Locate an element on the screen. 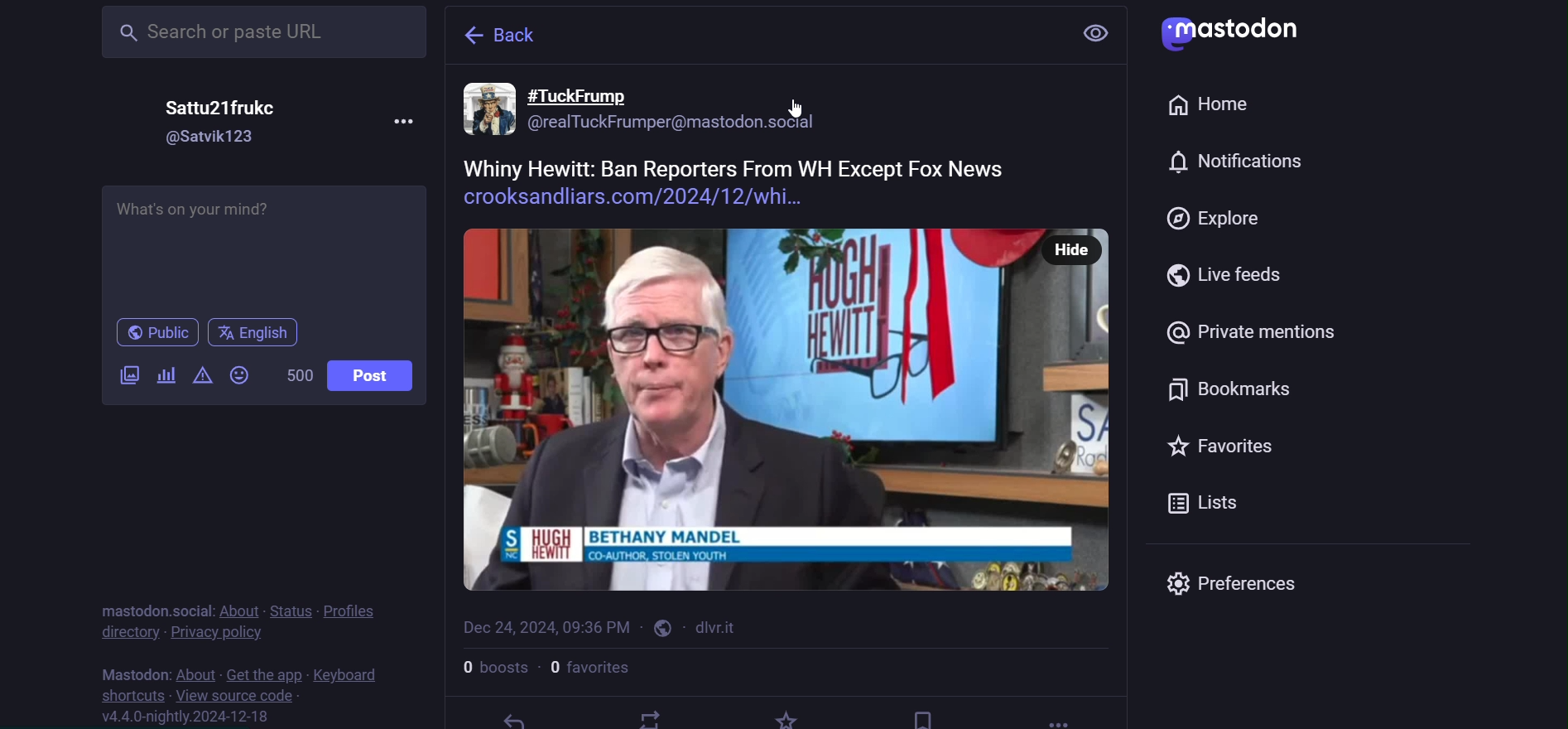 The width and height of the screenshot is (1568, 729). cursor is located at coordinates (799, 117).